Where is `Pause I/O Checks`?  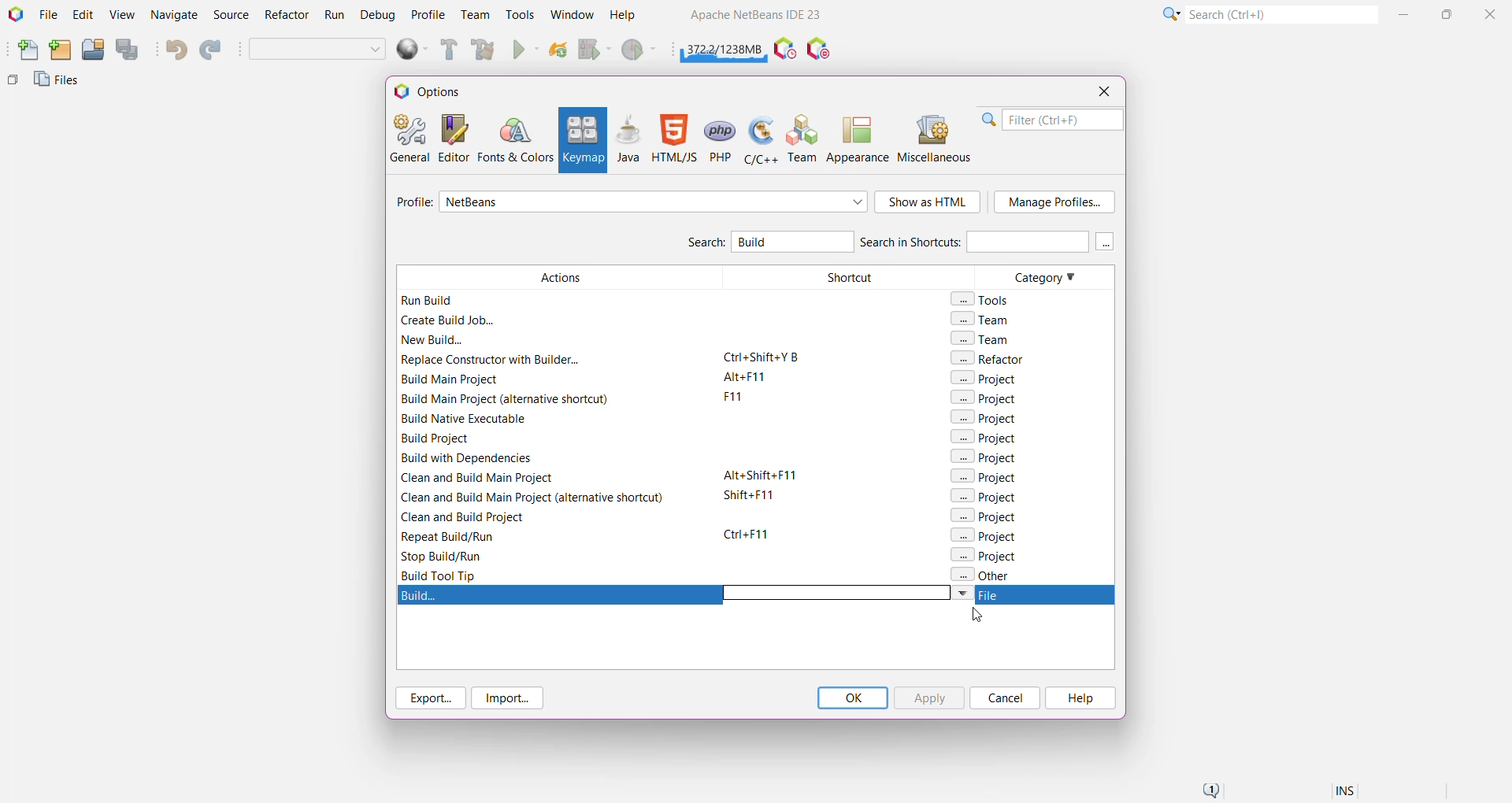 Pause I/O Checks is located at coordinates (820, 50).